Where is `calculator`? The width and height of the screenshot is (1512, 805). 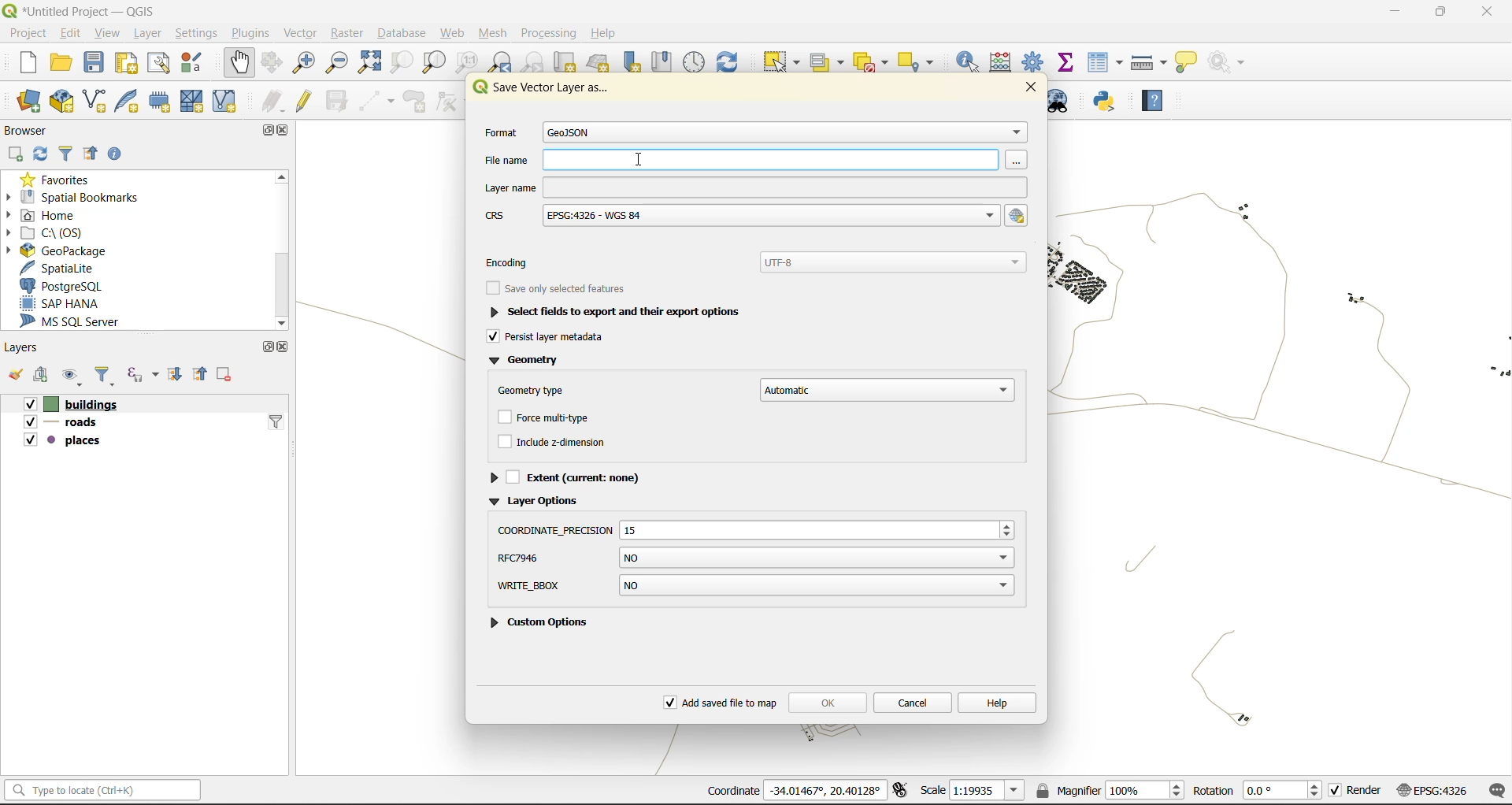
calculator is located at coordinates (1005, 62).